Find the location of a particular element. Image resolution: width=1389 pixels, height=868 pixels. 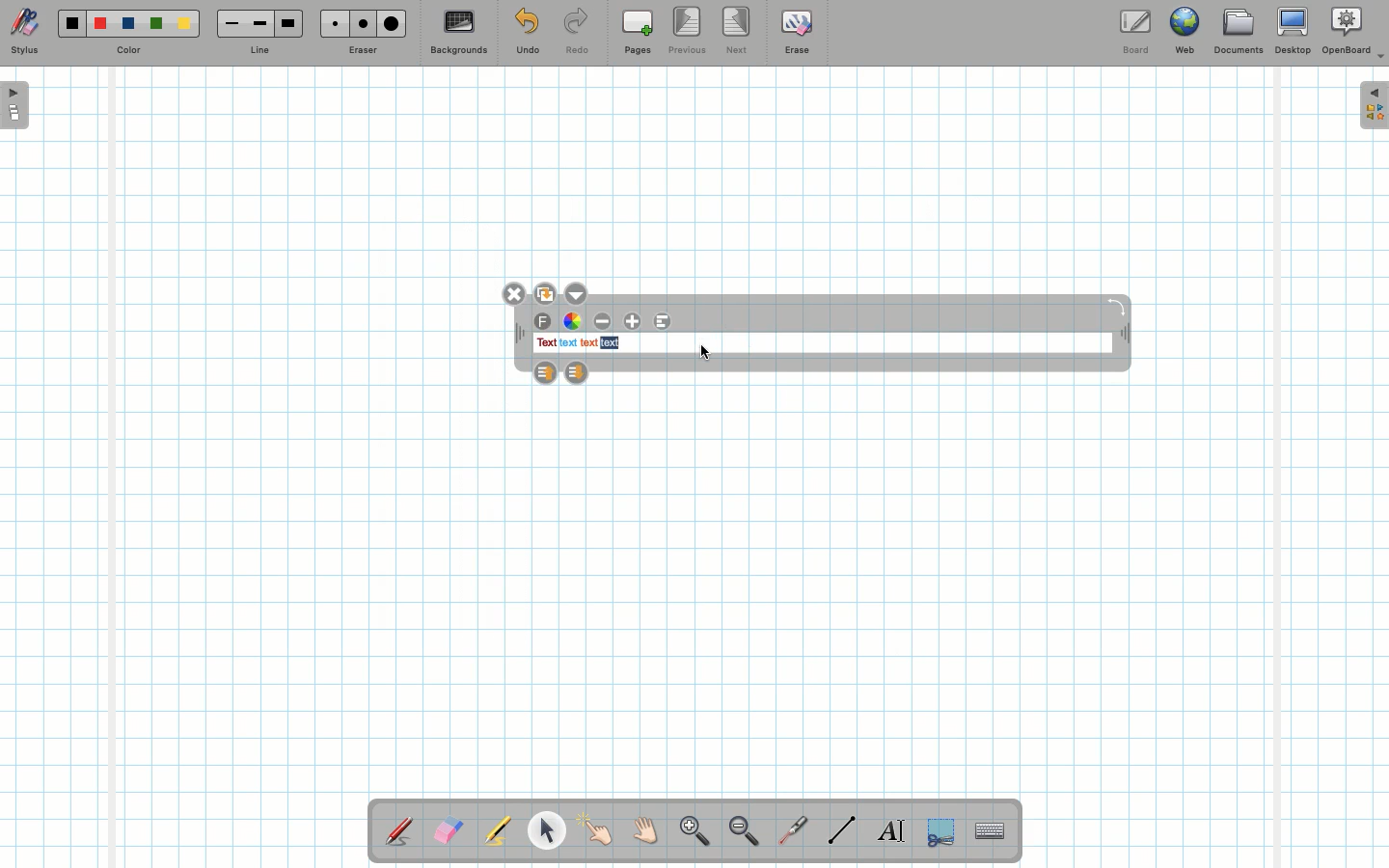

Font is located at coordinates (544, 322).